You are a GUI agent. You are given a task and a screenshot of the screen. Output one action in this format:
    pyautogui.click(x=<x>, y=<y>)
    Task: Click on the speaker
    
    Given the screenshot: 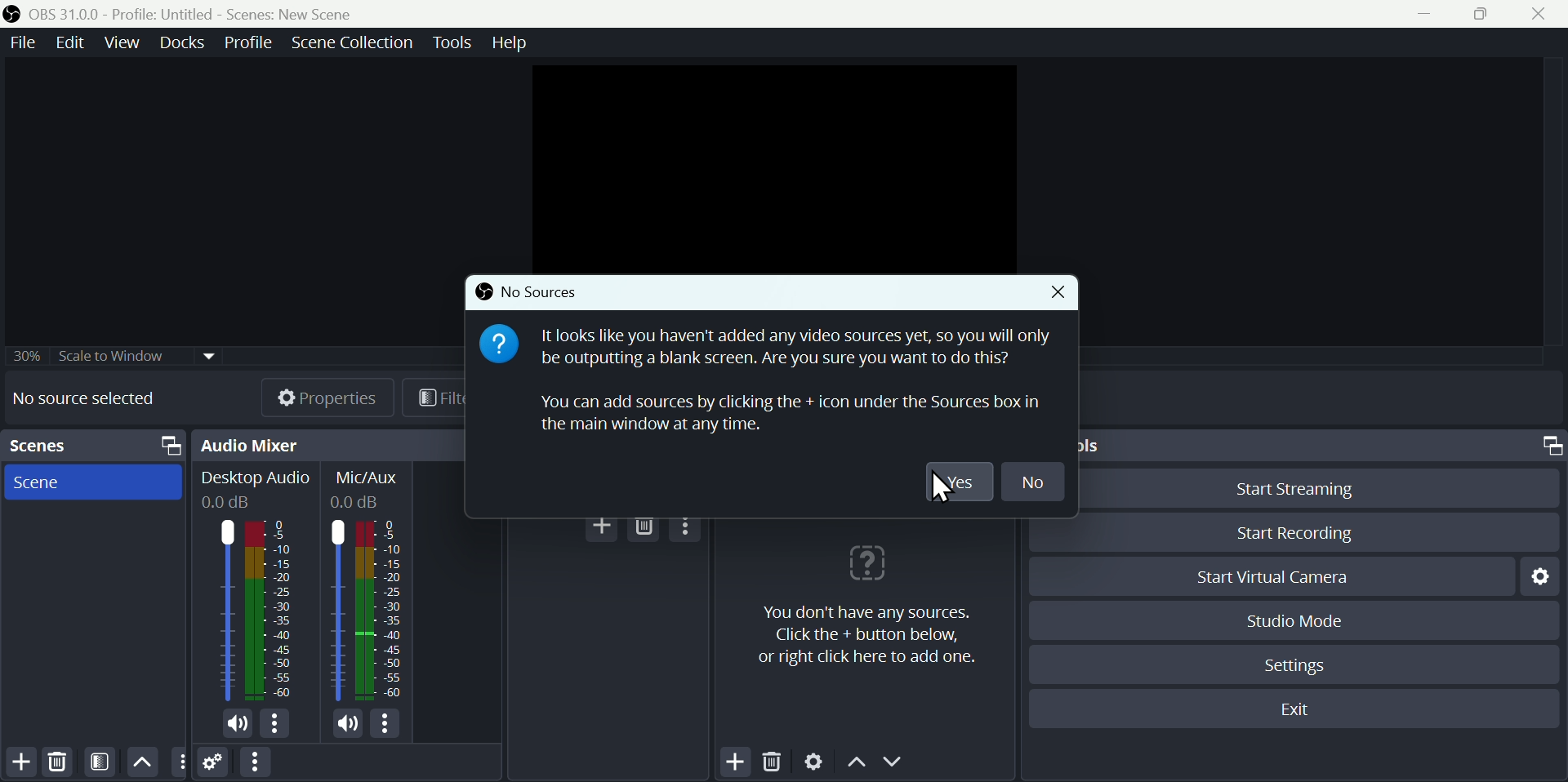 What is the action you would take?
    pyautogui.click(x=236, y=724)
    